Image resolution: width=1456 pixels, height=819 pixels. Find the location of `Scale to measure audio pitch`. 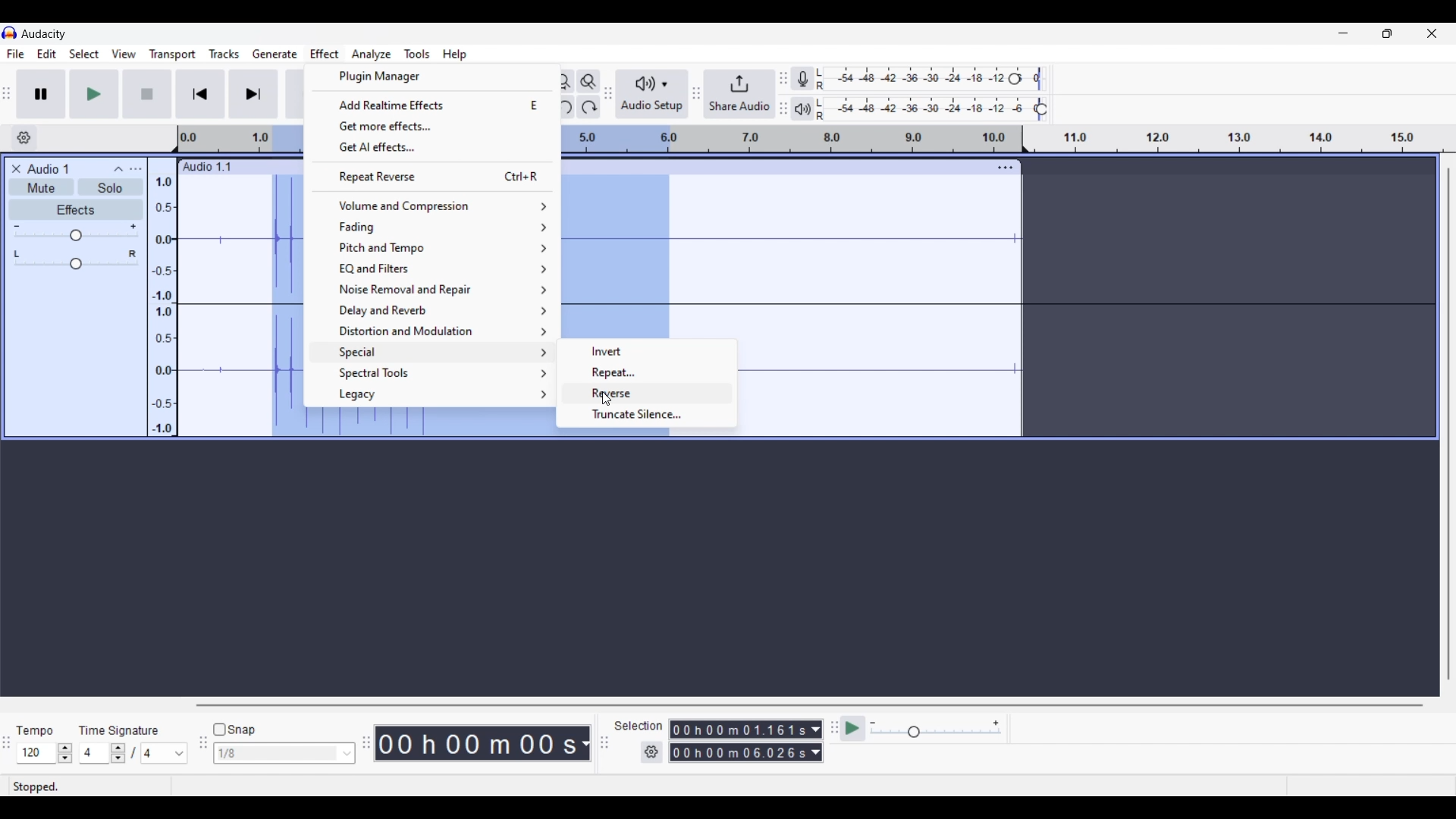

Scale to measure audio pitch is located at coordinates (162, 297).